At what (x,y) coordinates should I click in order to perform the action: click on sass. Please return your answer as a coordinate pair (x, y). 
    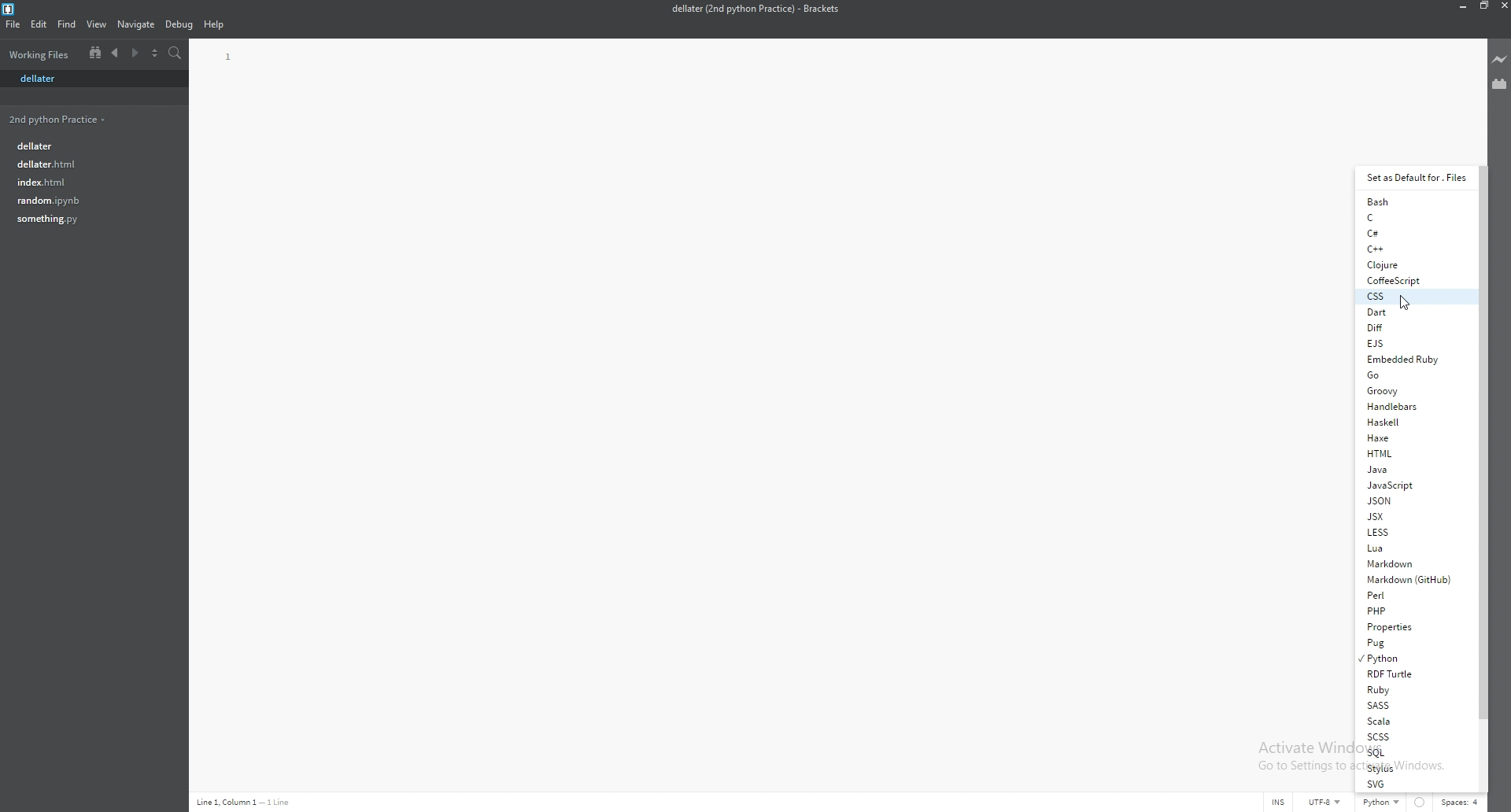
    Looking at the image, I should click on (1413, 705).